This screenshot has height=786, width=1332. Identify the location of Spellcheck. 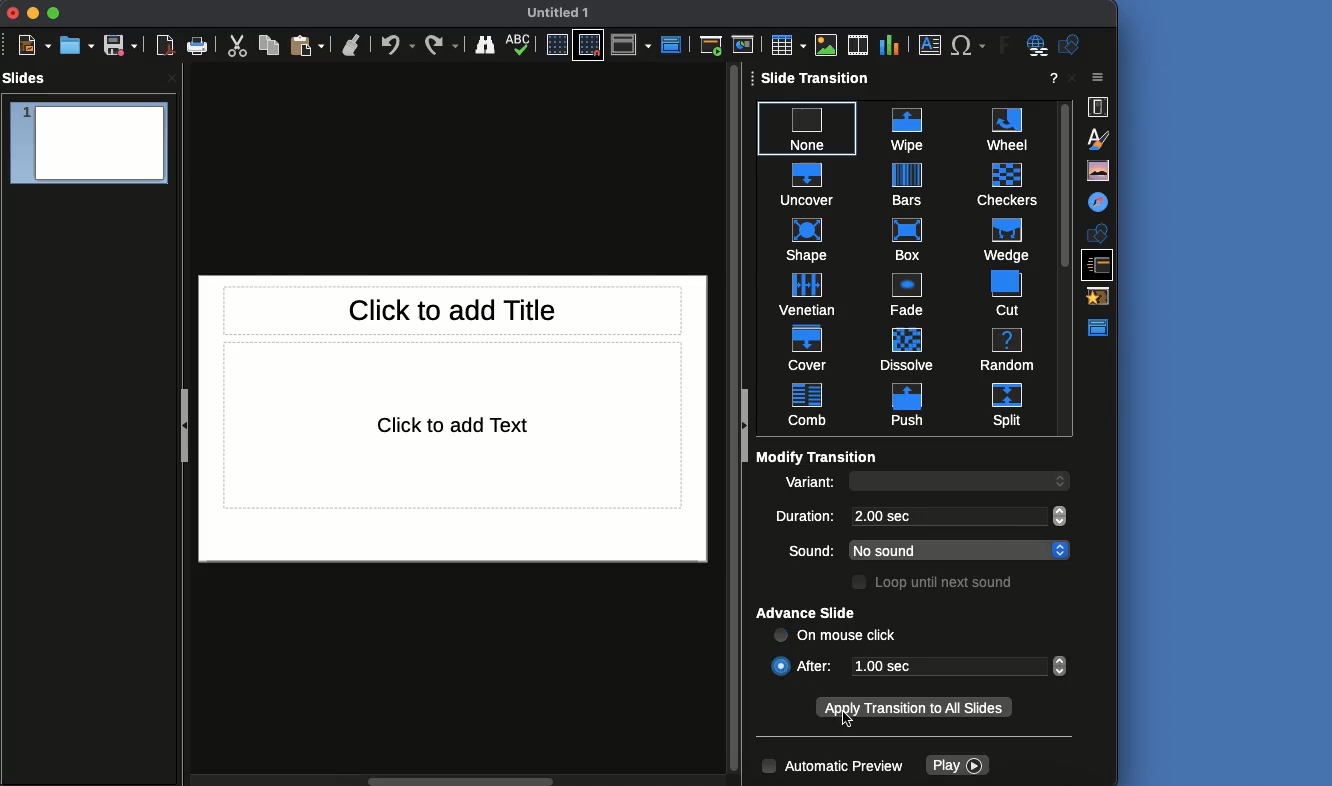
(520, 44).